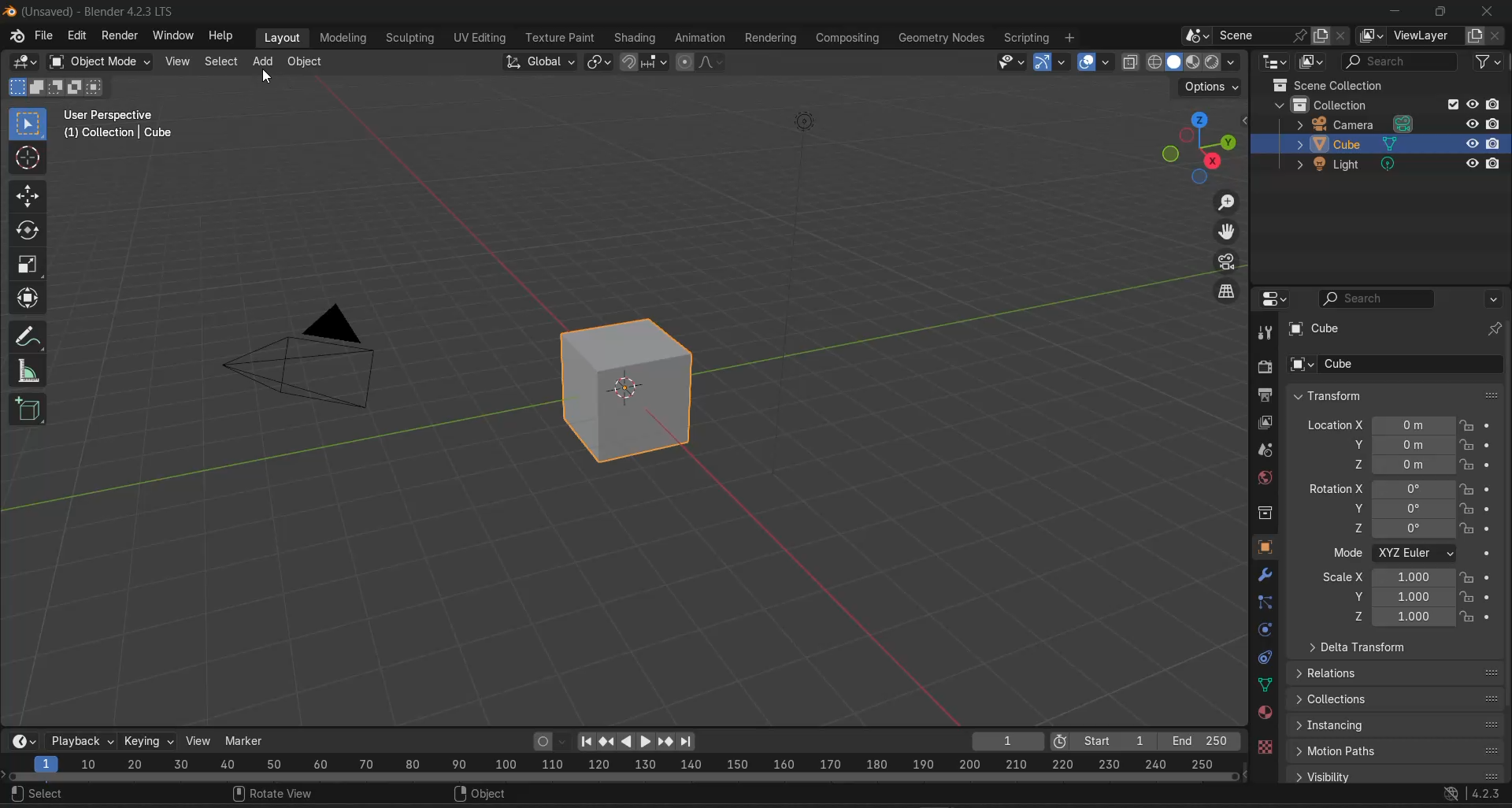  What do you see at coordinates (1132, 61) in the screenshot?
I see `toggle x-ray` at bounding box center [1132, 61].